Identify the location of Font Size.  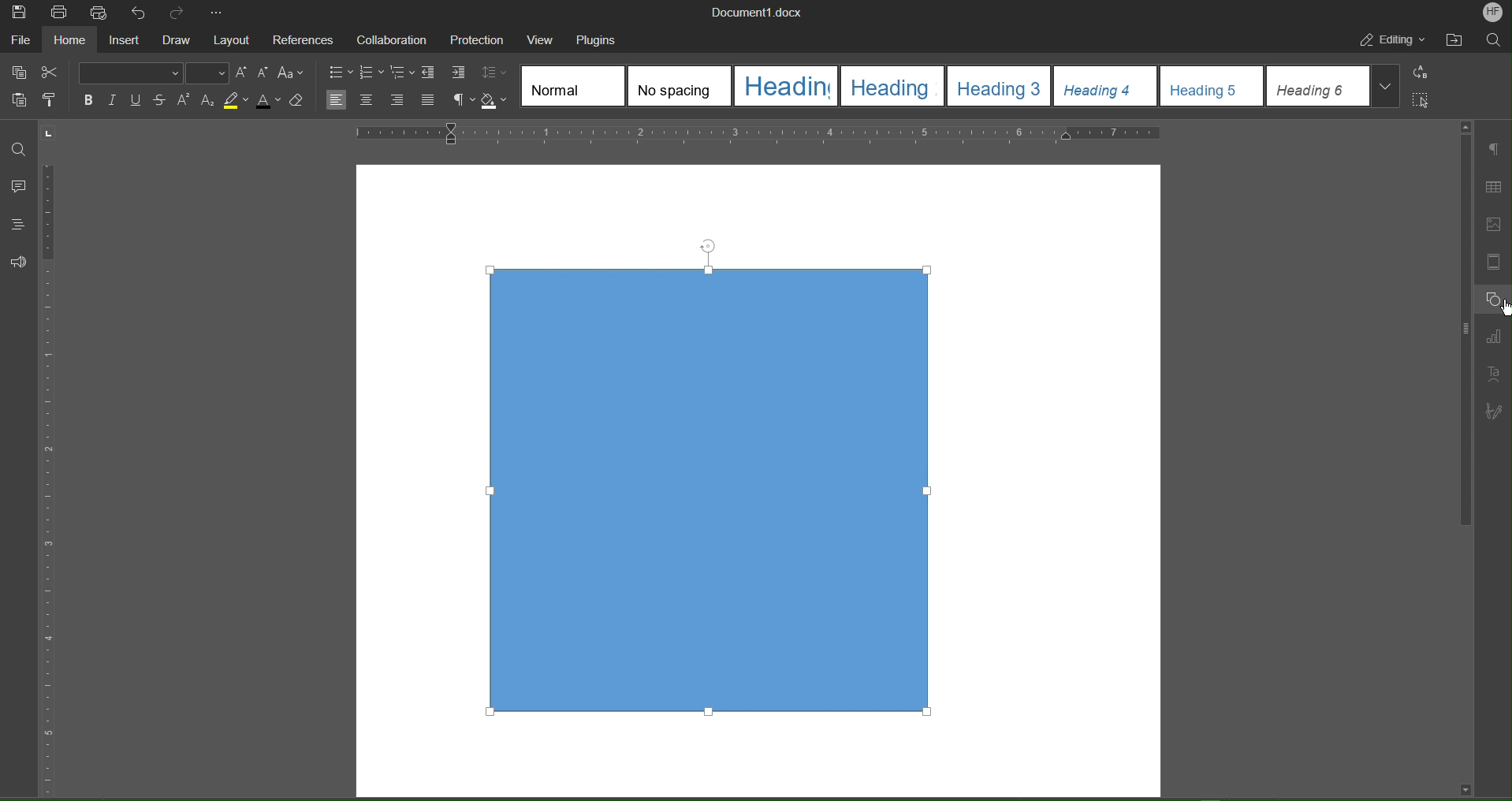
(207, 74).